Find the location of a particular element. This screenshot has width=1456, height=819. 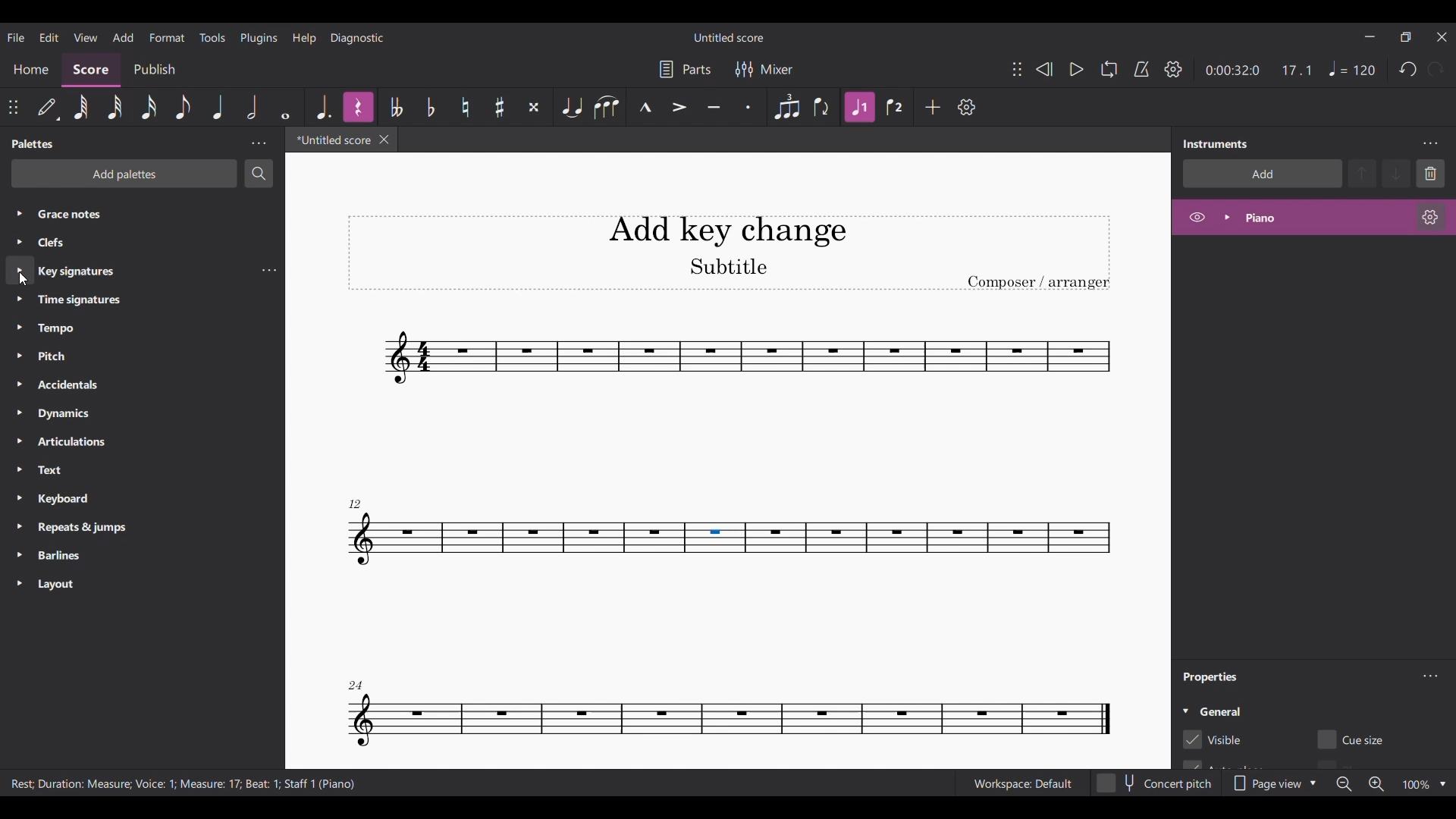

Change position of toolbar attached is located at coordinates (1017, 69).